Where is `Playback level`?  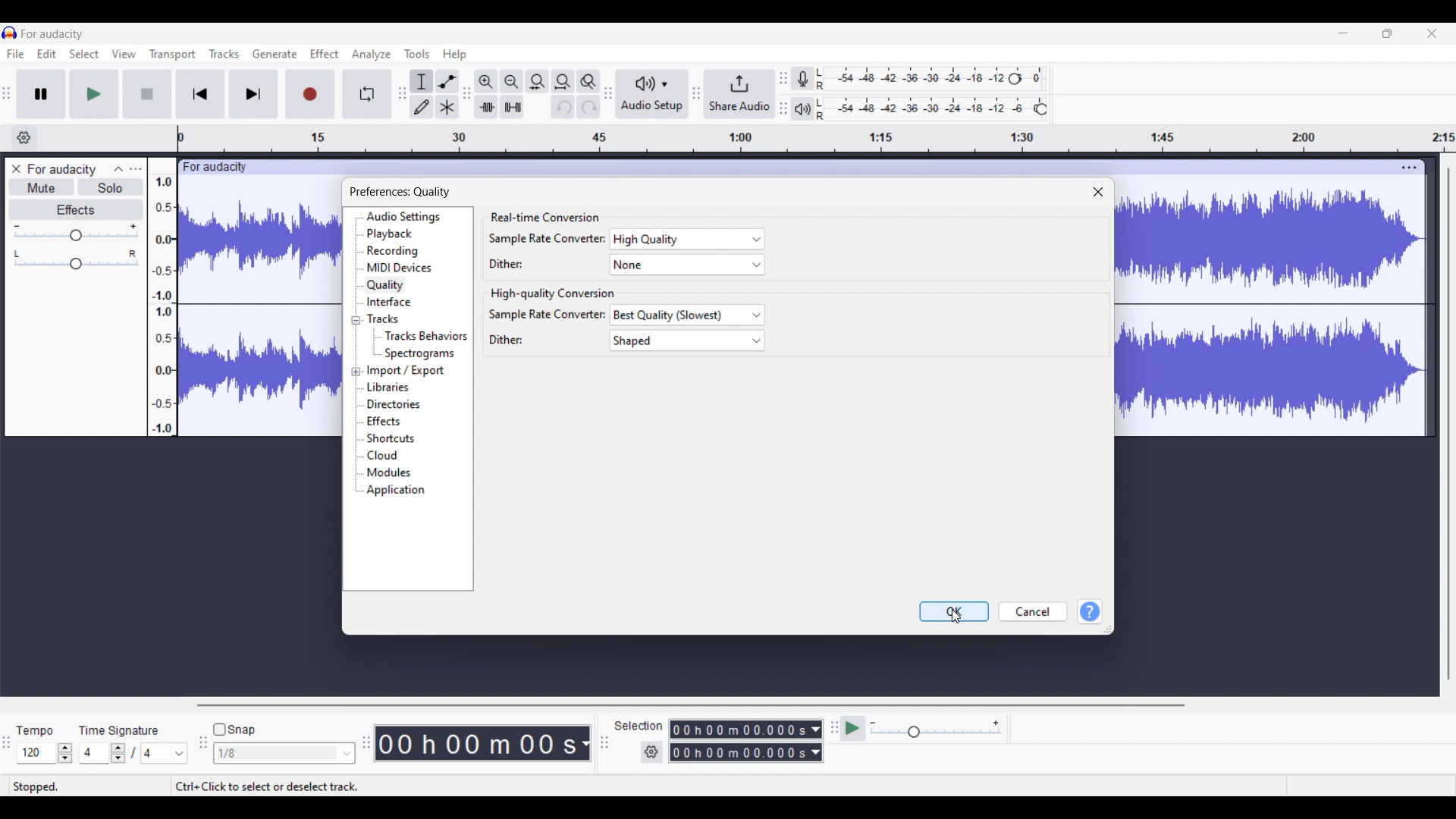
Playback level is located at coordinates (923, 109).